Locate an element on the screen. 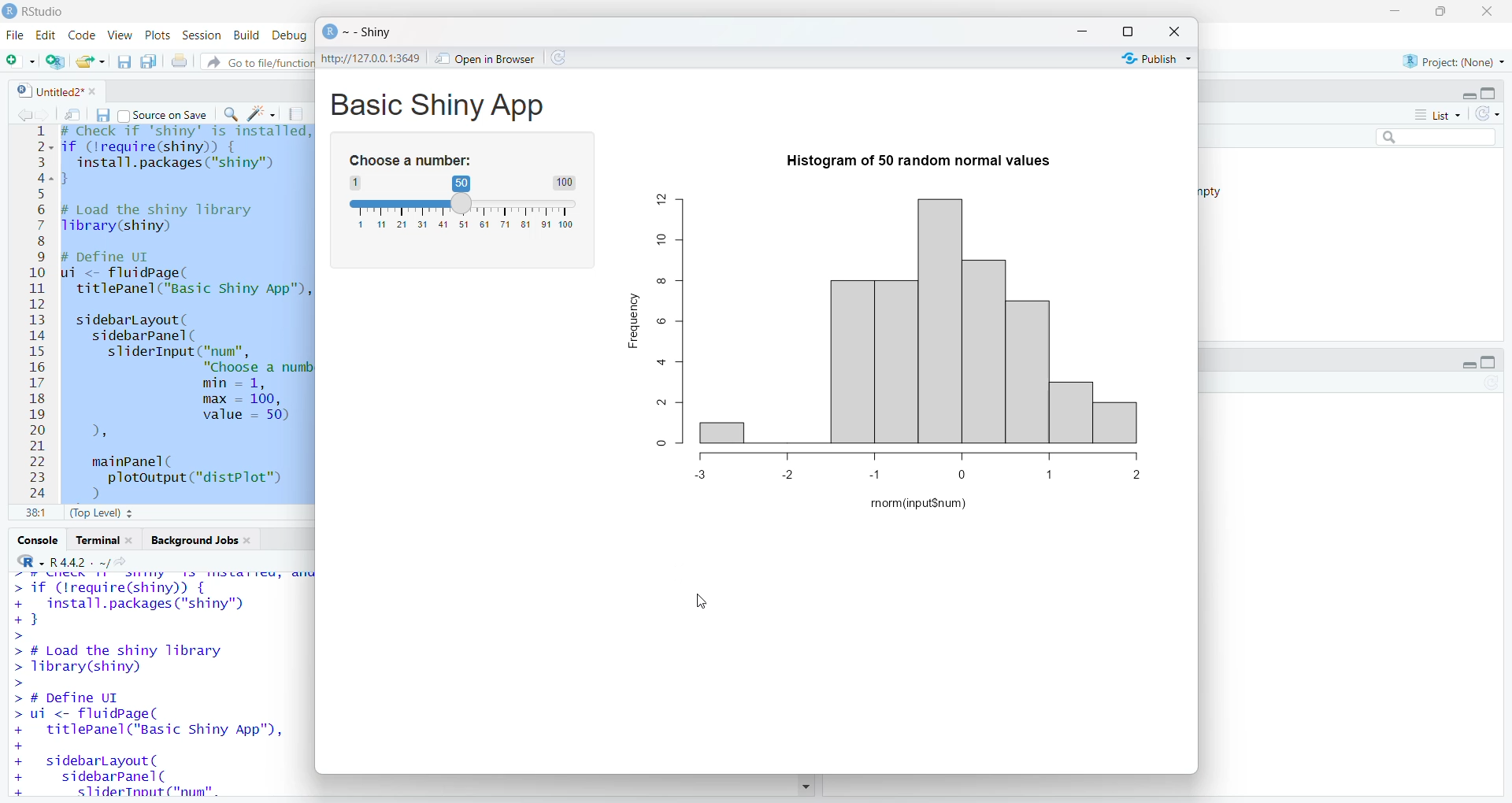 Image resolution: width=1512 pixels, height=803 pixels. 100 is located at coordinates (564, 183).